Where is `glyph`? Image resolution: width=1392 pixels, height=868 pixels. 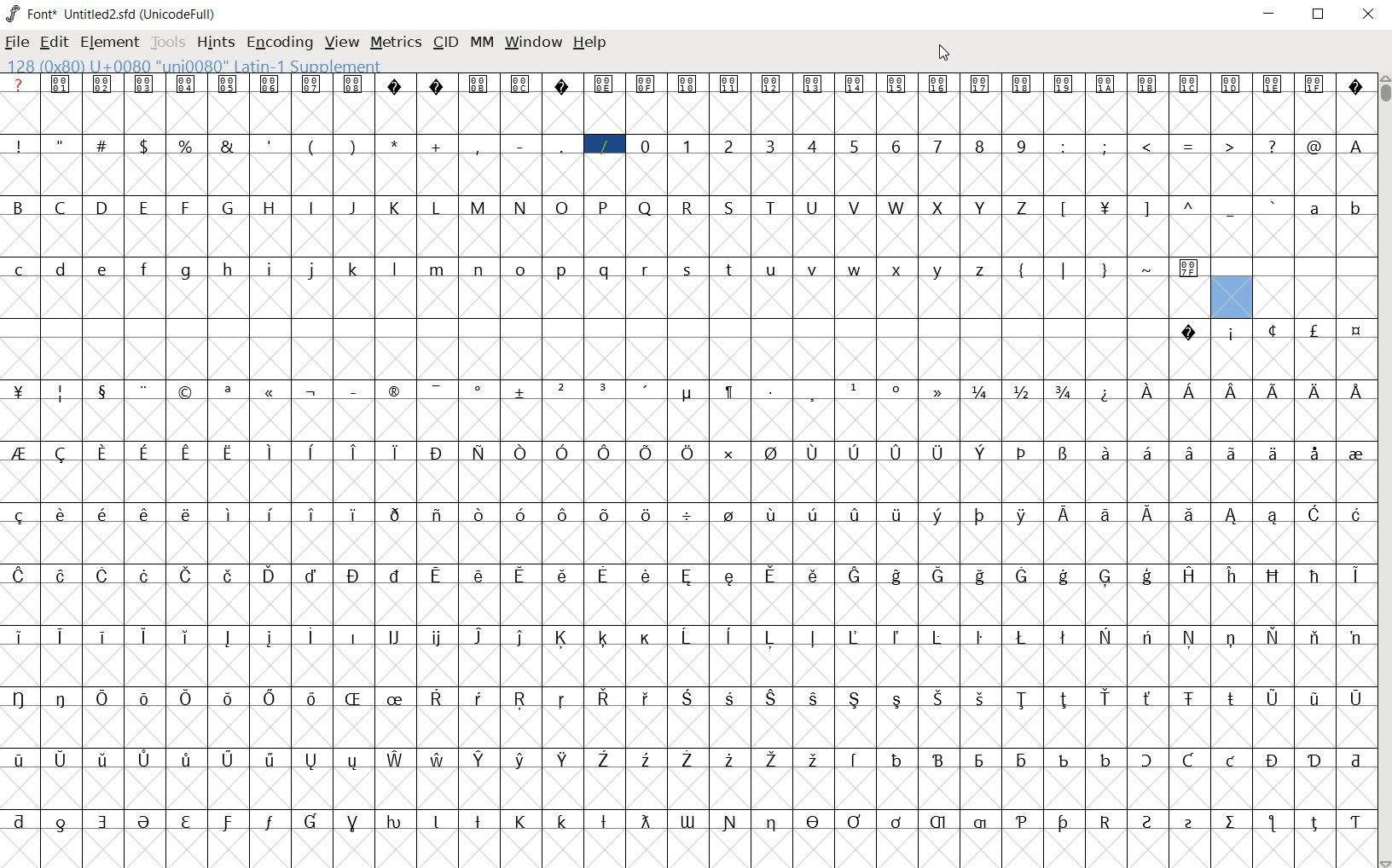
glyph is located at coordinates (270, 85).